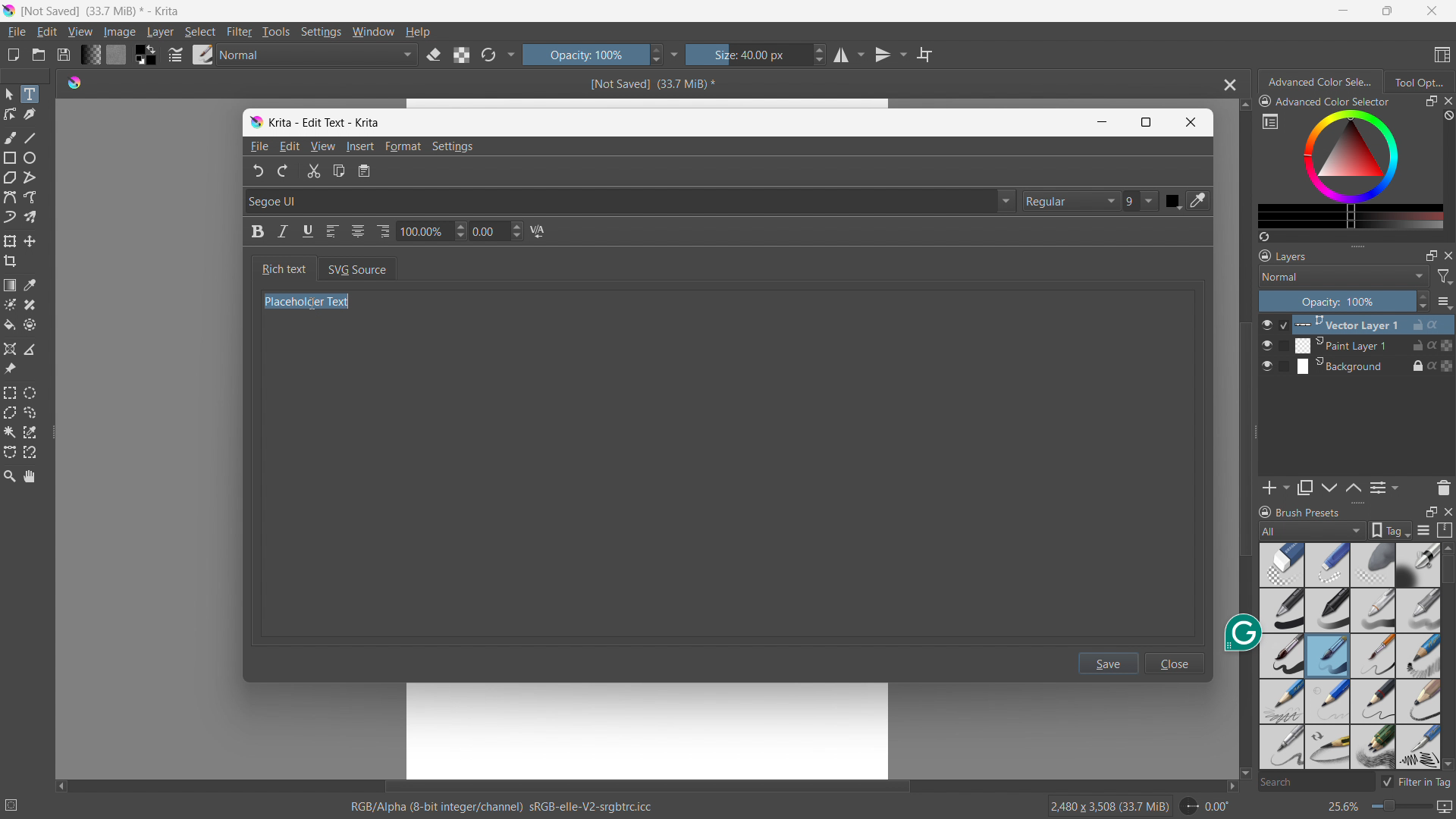  What do you see at coordinates (1372, 657) in the screenshot?
I see `small pin brush` at bounding box center [1372, 657].